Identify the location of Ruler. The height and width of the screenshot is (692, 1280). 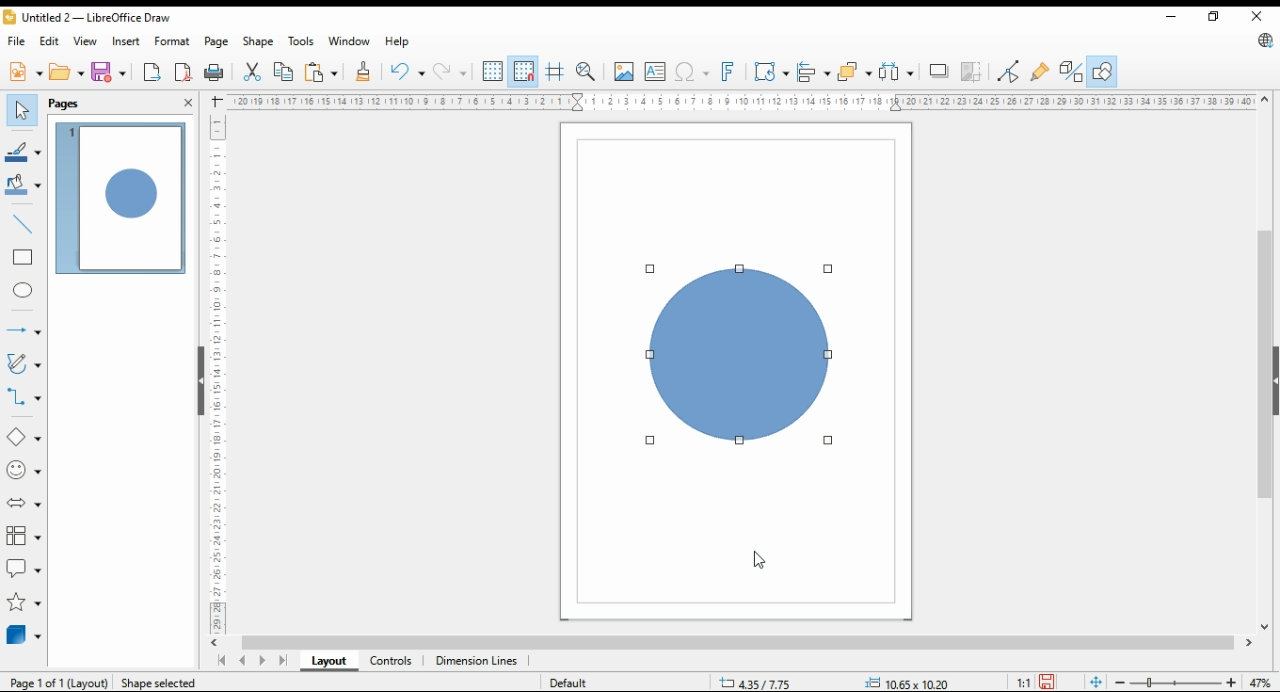
(741, 101).